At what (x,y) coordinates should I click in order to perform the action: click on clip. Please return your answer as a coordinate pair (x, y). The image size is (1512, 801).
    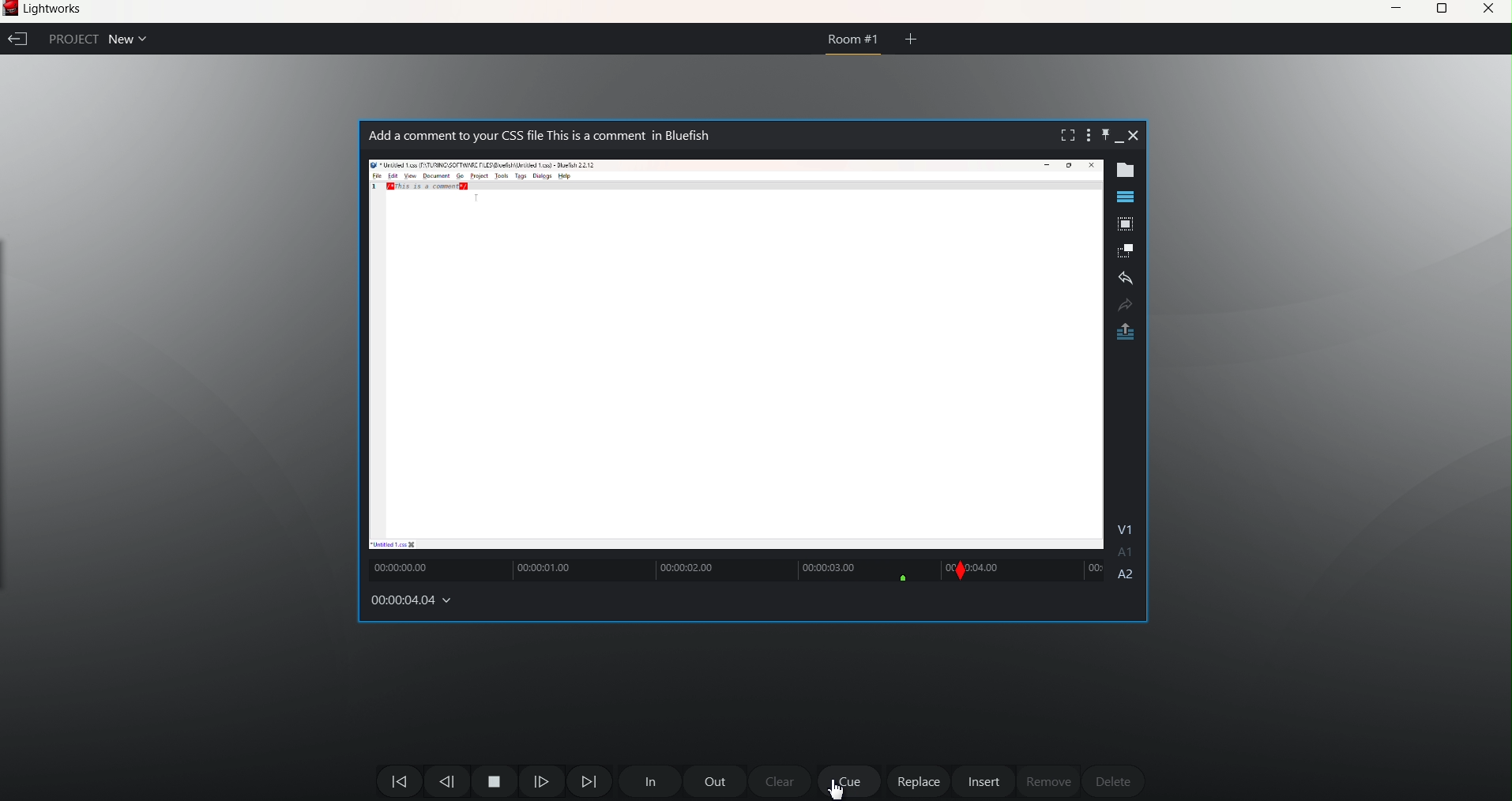
    Looking at the image, I should click on (735, 354).